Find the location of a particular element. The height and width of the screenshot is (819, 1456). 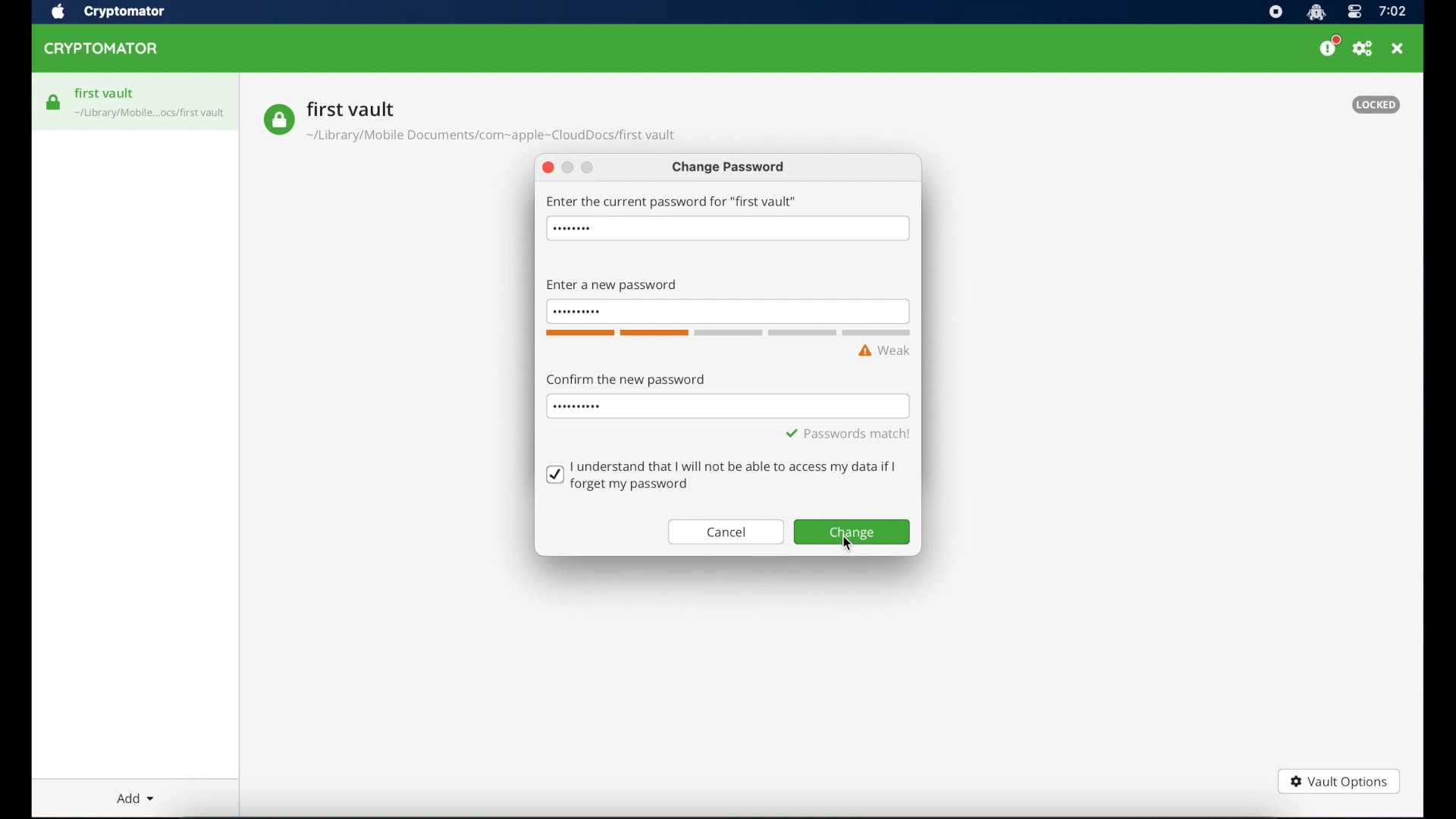

close is located at coordinates (1398, 49).